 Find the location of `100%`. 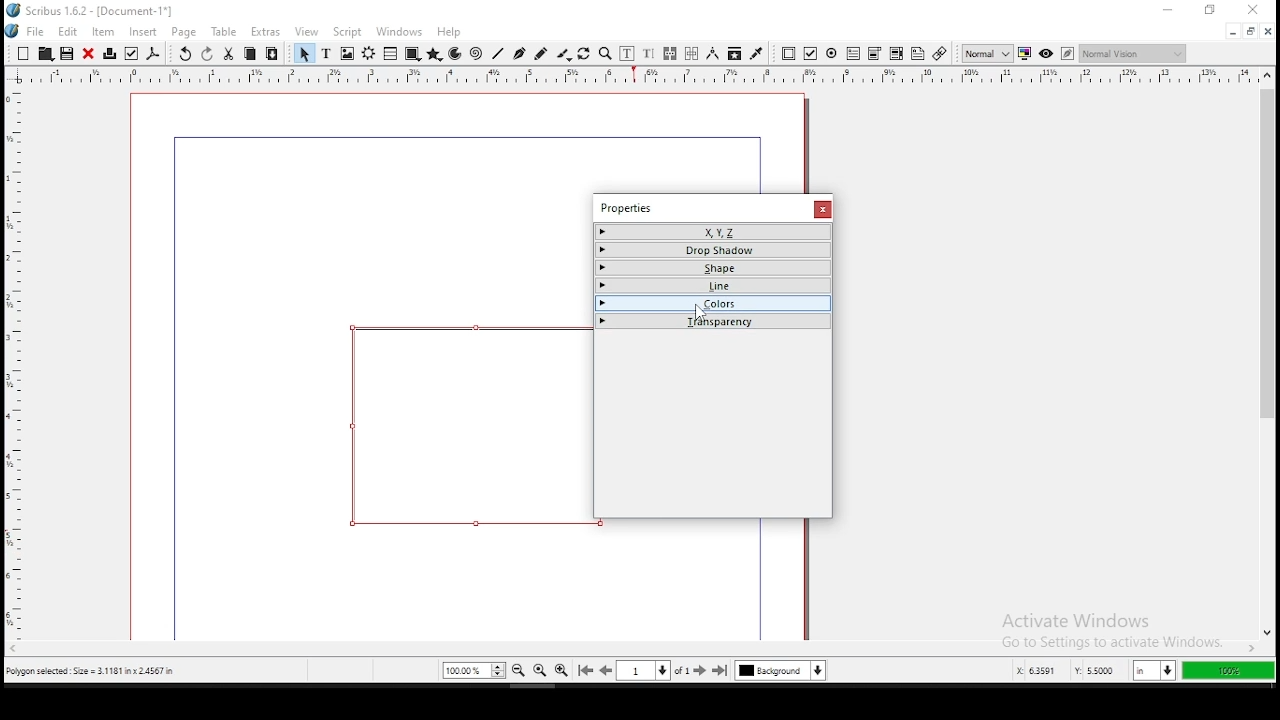

100% is located at coordinates (1228, 671).